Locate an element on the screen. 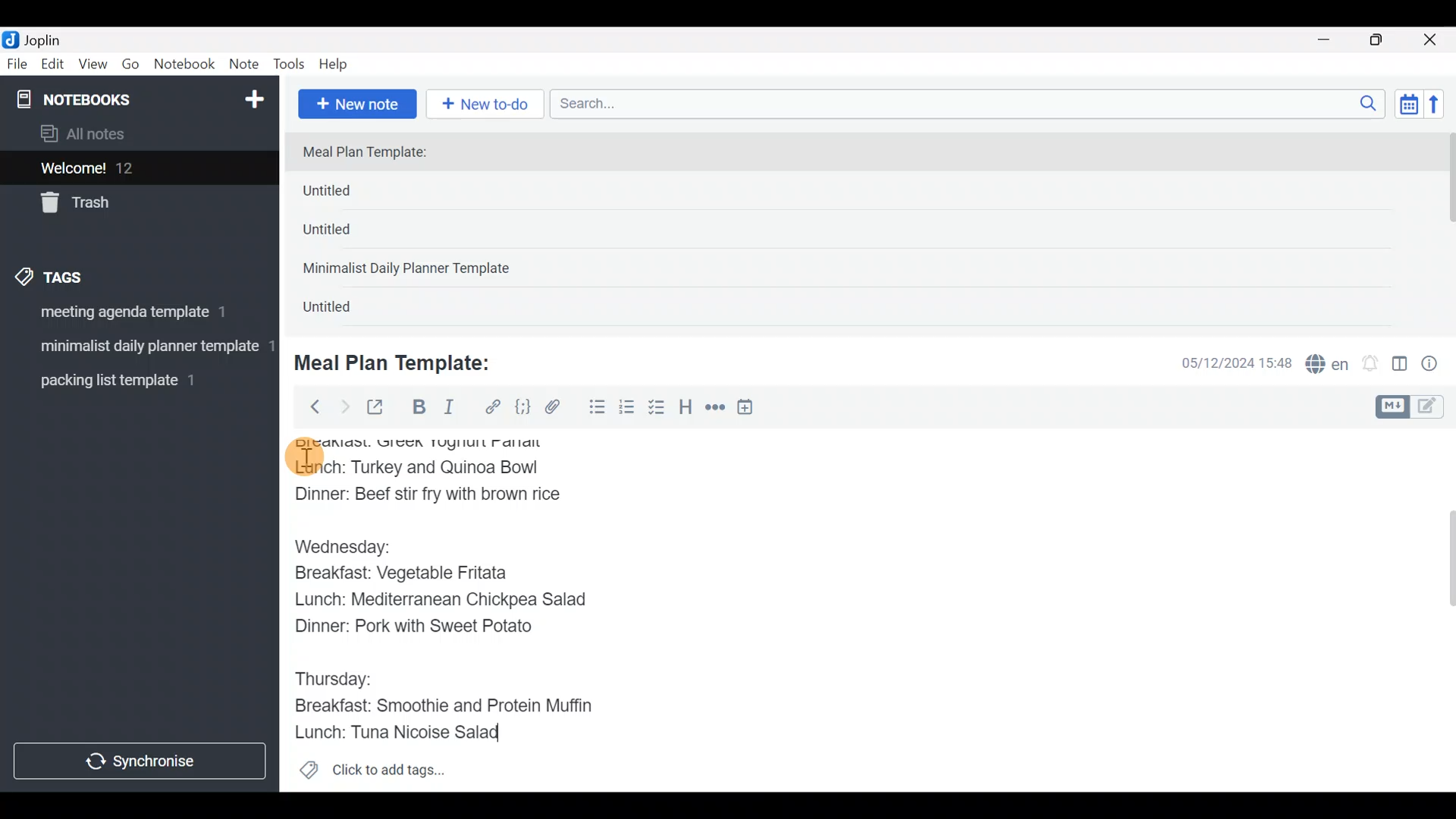 This screenshot has height=819, width=1456. Code is located at coordinates (521, 406).